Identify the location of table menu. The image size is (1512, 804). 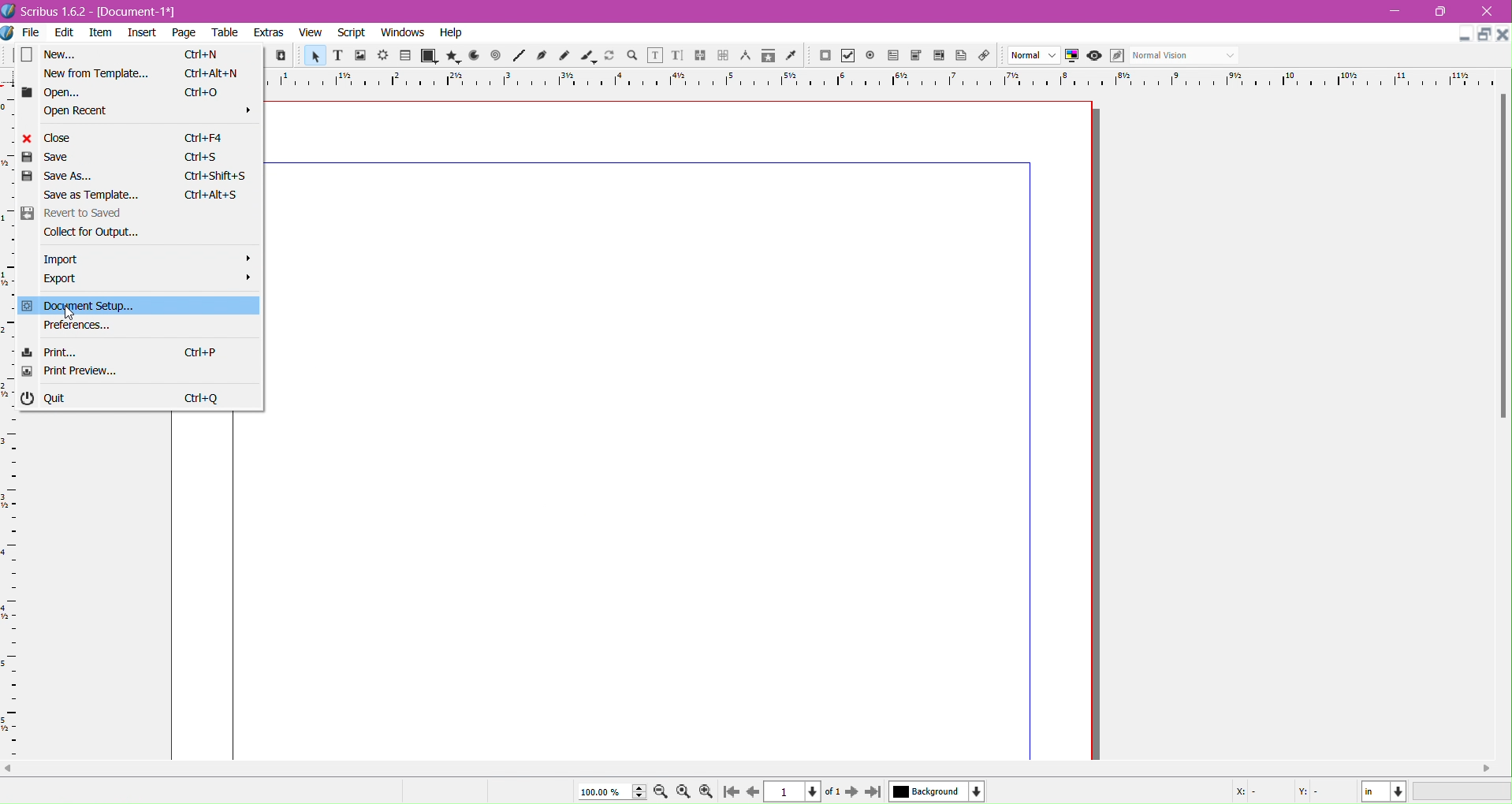
(225, 33).